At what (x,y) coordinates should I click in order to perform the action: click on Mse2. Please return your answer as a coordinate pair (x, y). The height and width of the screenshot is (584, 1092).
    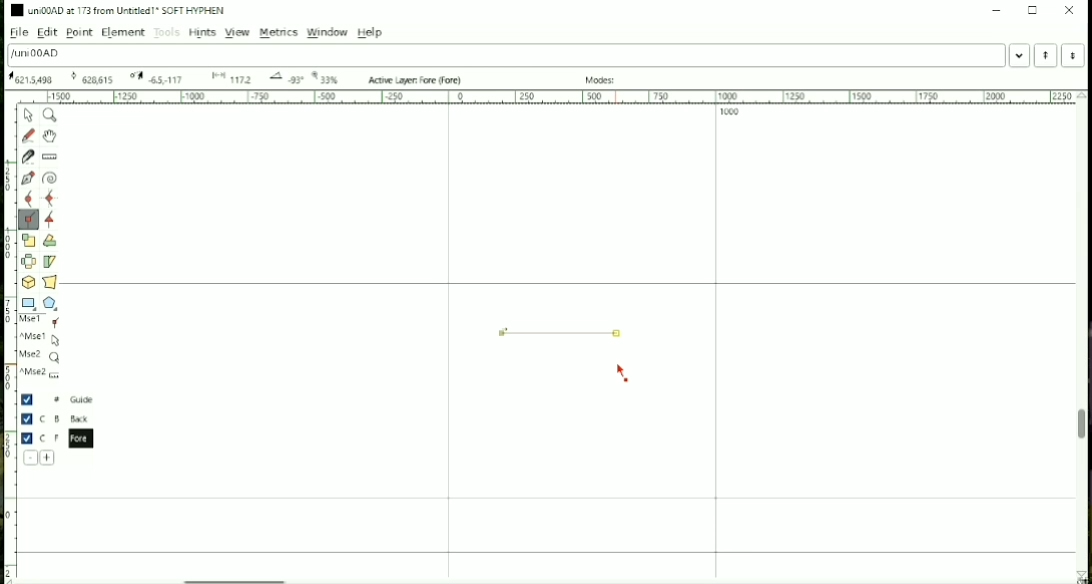
    Looking at the image, I should click on (41, 357).